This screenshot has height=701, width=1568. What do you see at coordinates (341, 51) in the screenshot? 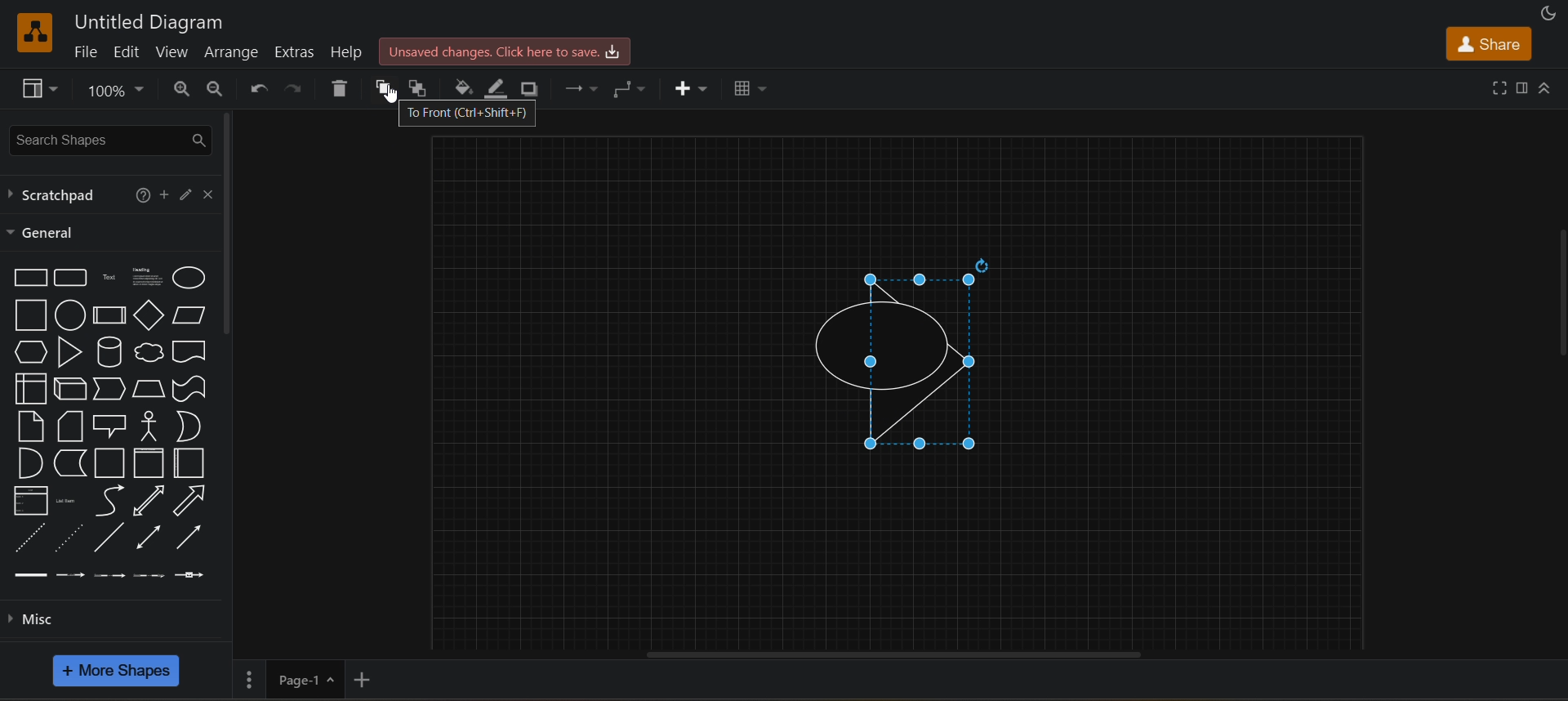
I see `help` at bounding box center [341, 51].